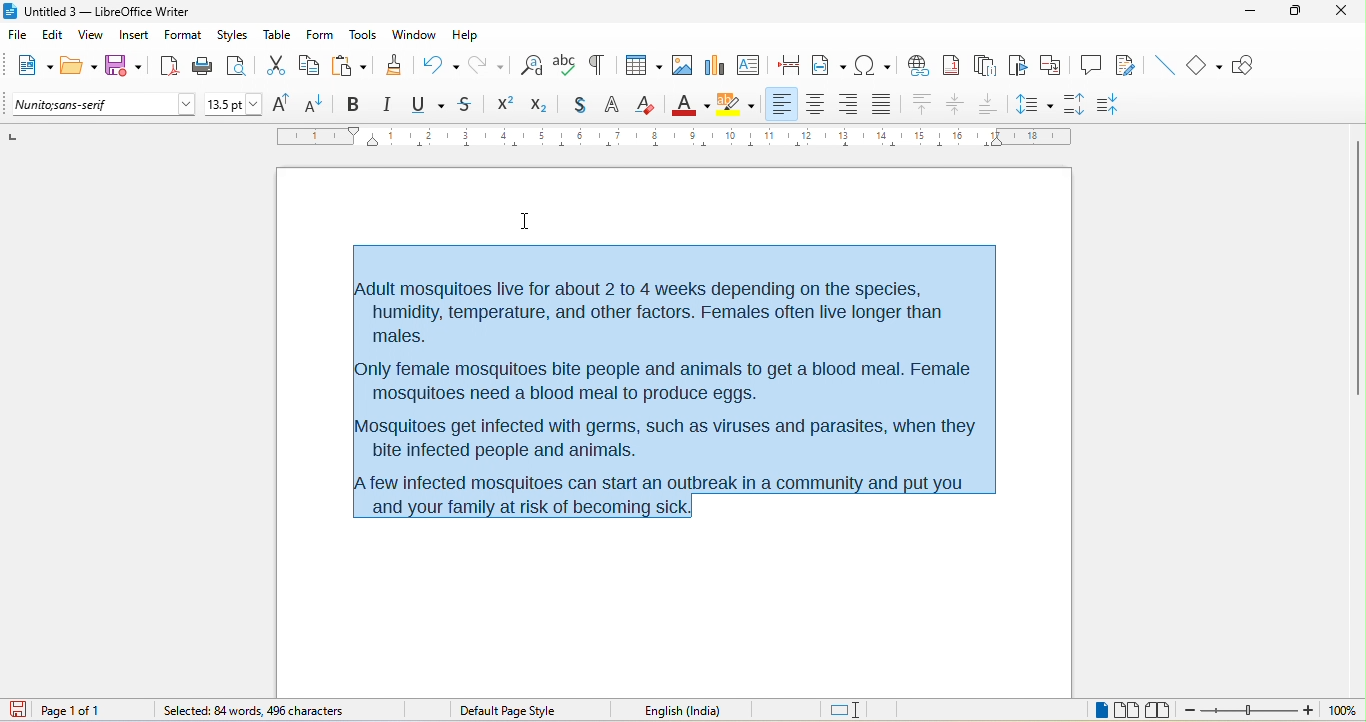 This screenshot has height=722, width=1366. What do you see at coordinates (464, 34) in the screenshot?
I see `help` at bounding box center [464, 34].